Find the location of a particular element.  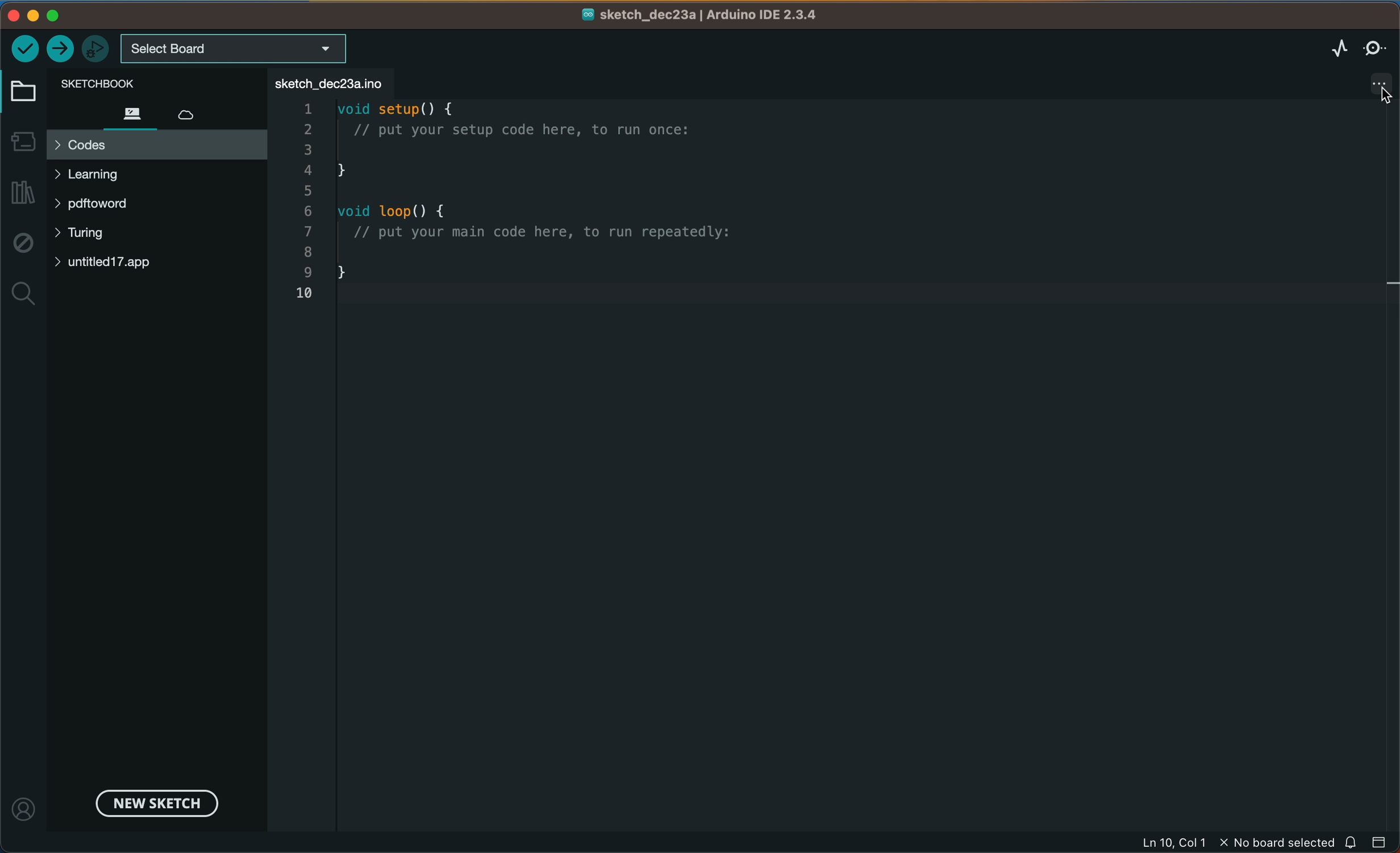

library manager is located at coordinates (24, 193).